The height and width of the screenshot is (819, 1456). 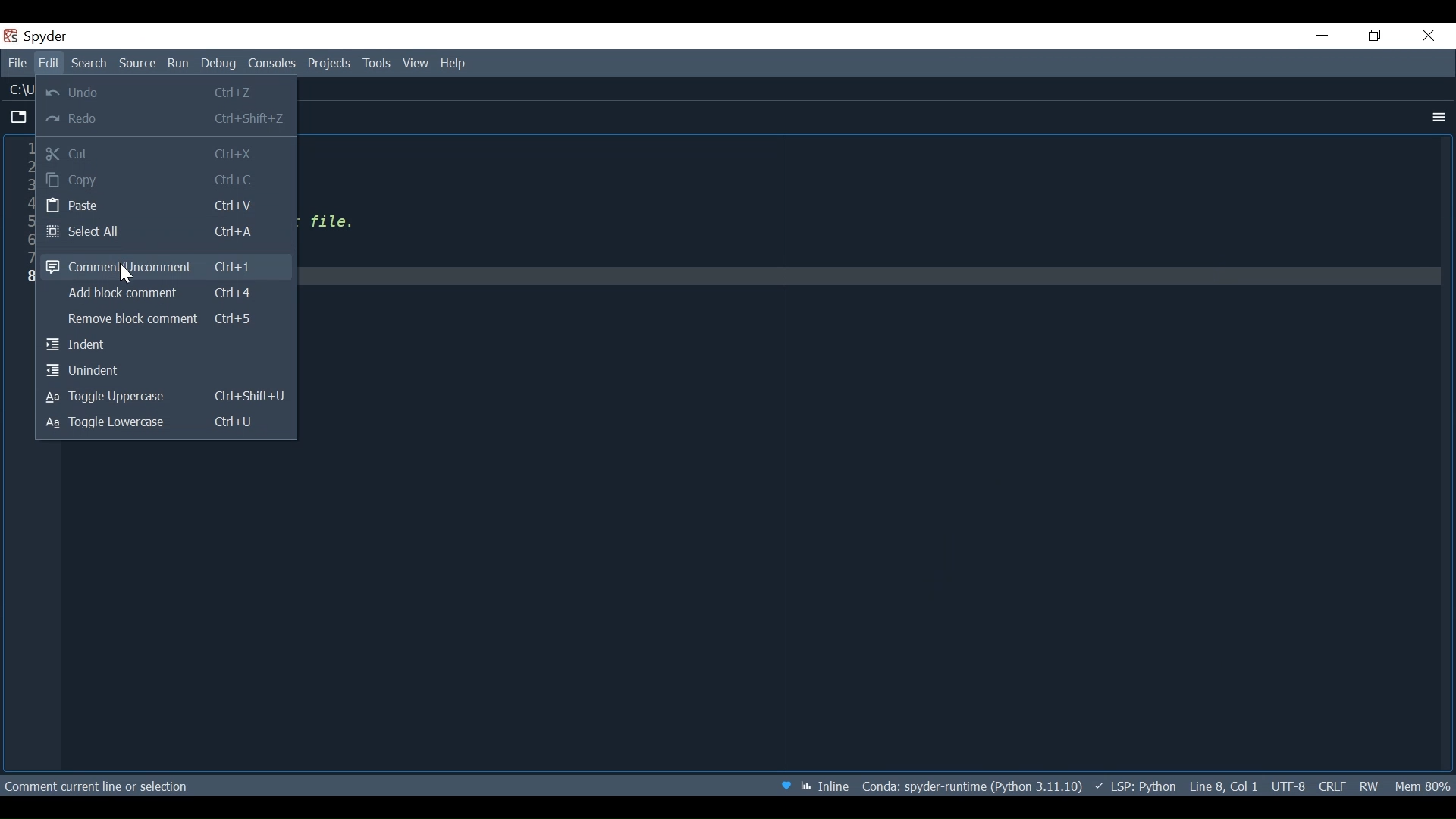 I want to click on Cursor Position, so click(x=1225, y=786).